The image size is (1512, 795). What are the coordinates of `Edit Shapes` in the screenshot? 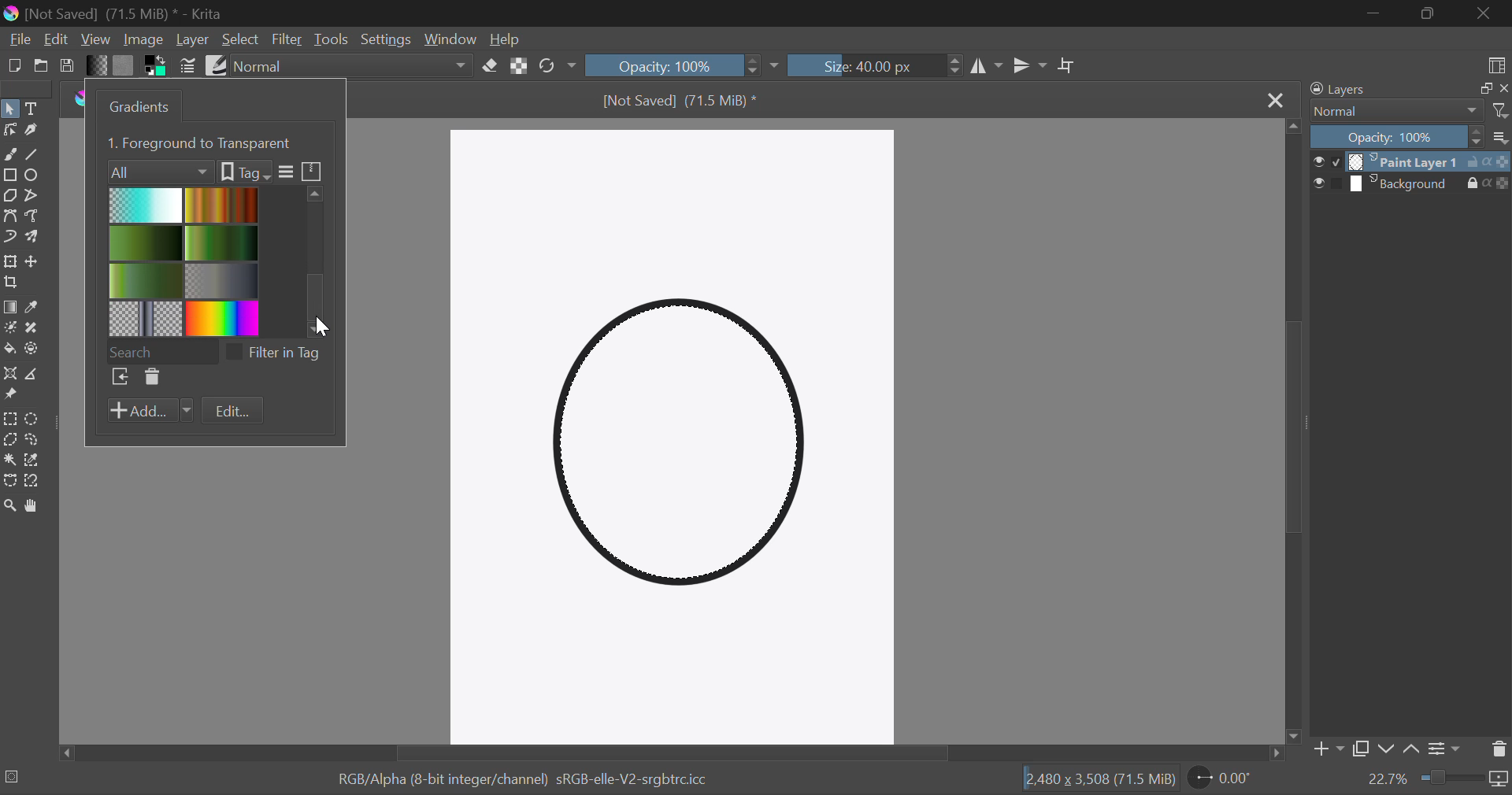 It's located at (9, 131).